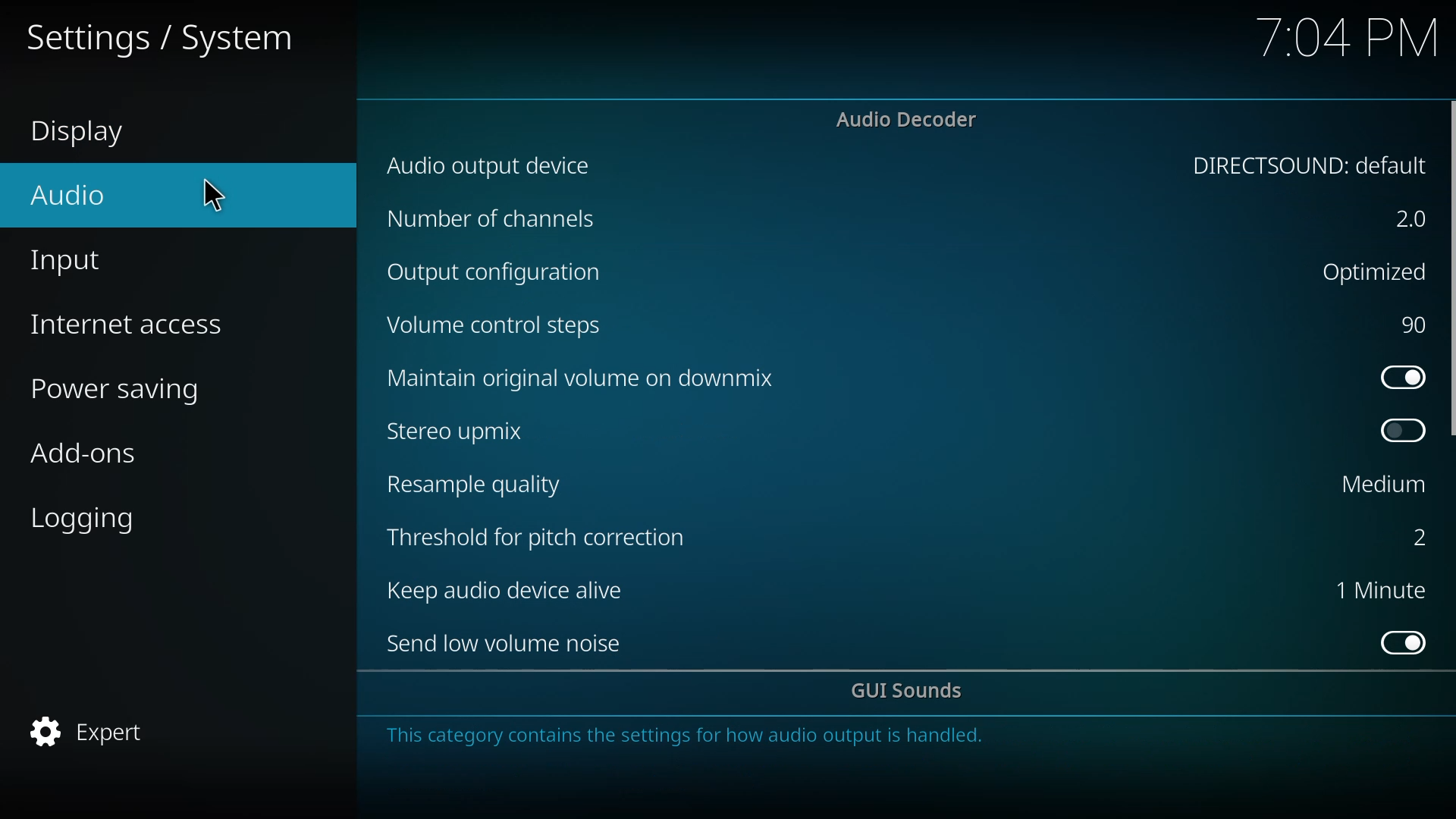  What do you see at coordinates (1412, 221) in the screenshot?
I see `2` at bounding box center [1412, 221].